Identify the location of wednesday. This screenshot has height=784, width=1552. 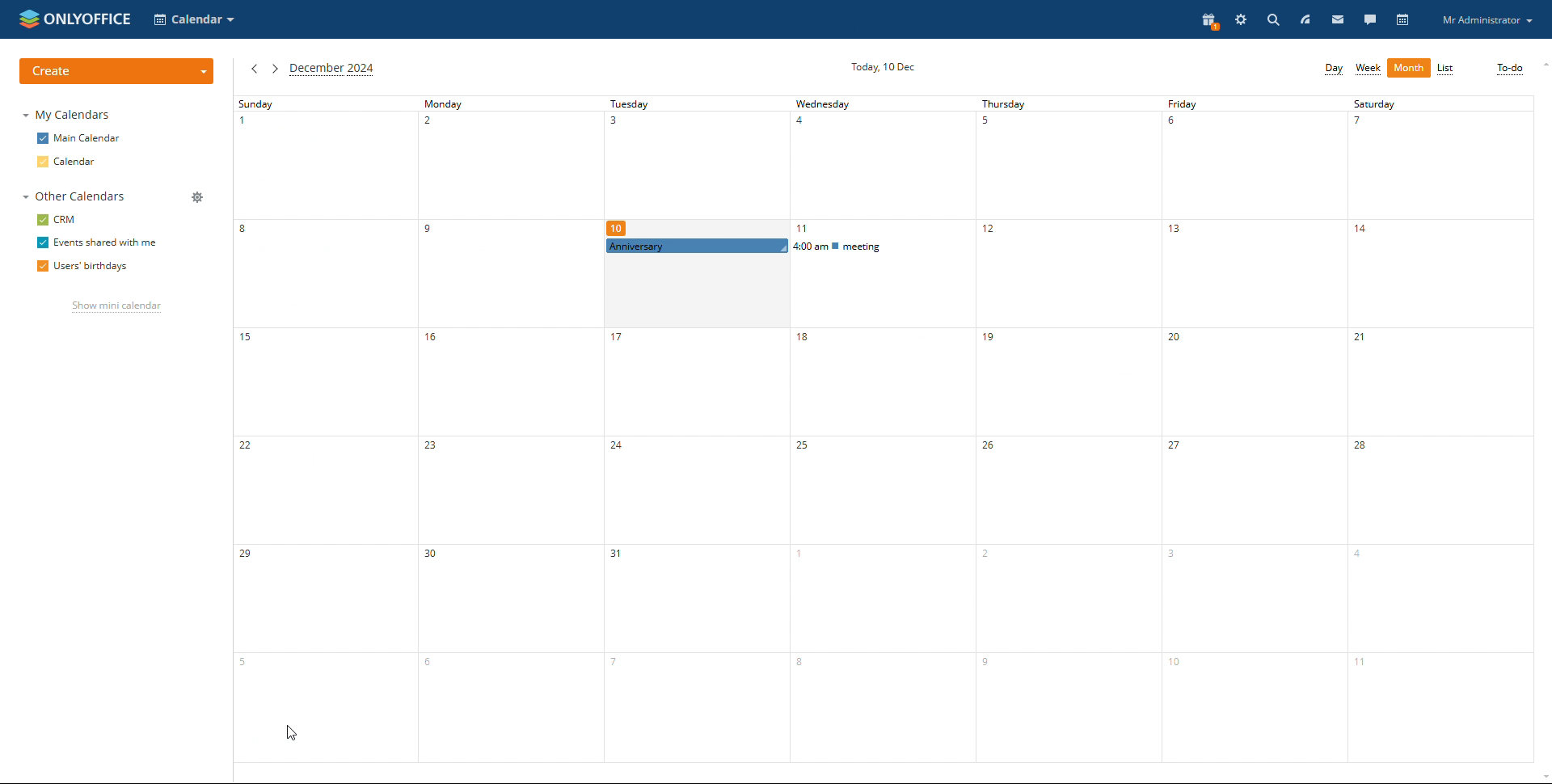
(882, 511).